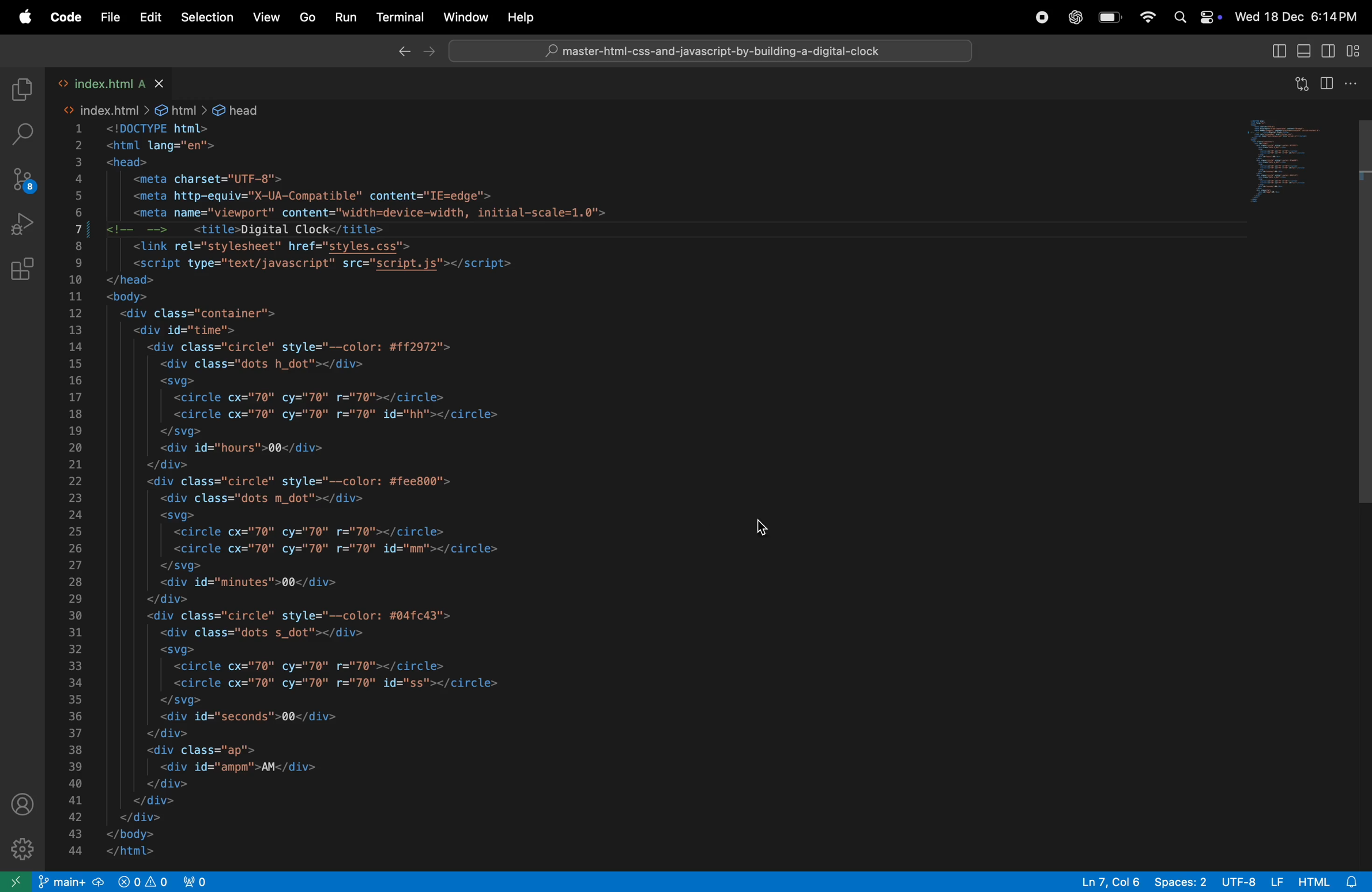 The width and height of the screenshot is (1372, 892). What do you see at coordinates (464, 18) in the screenshot?
I see `window` at bounding box center [464, 18].